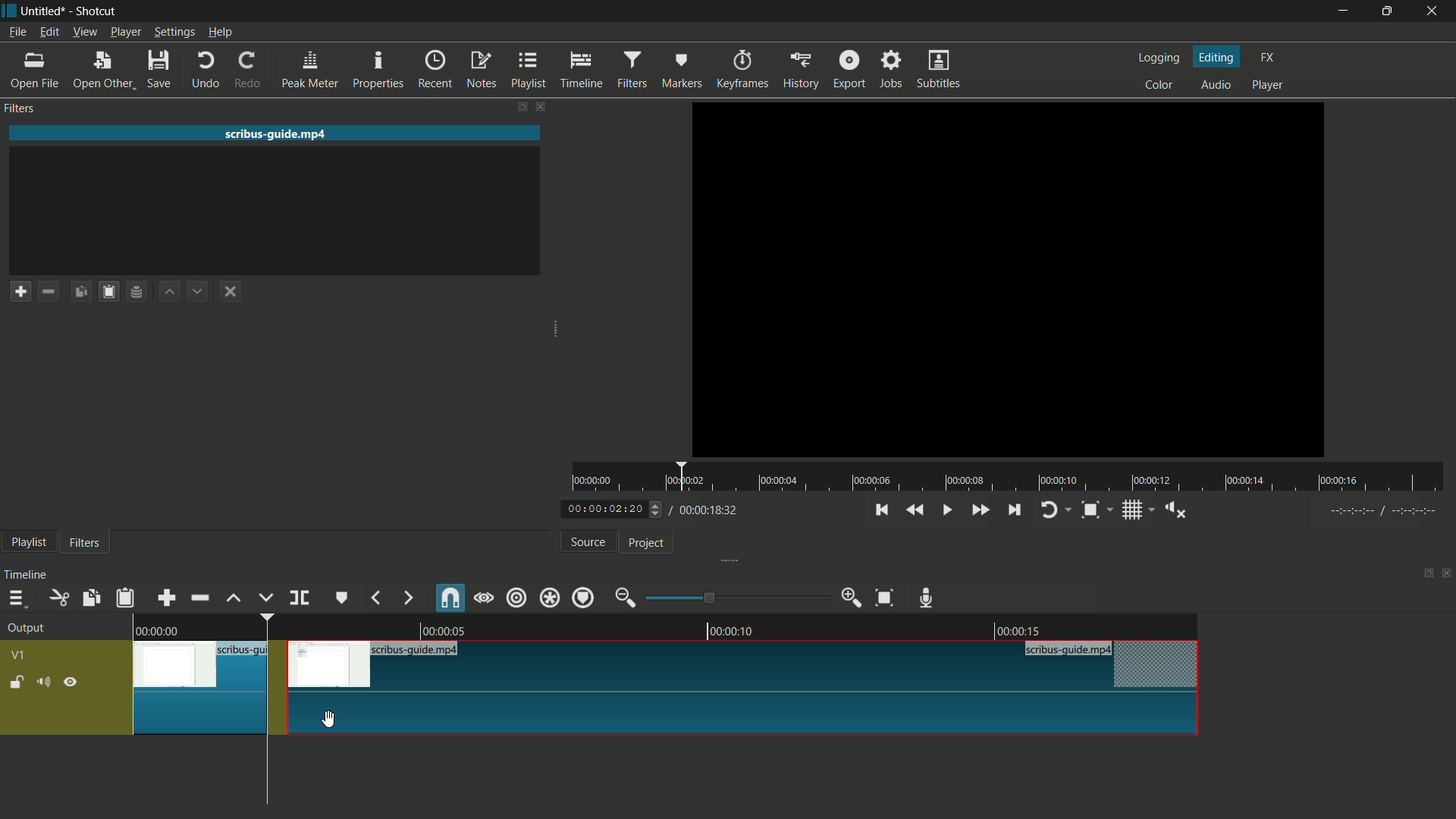 This screenshot has height=819, width=1456. What do you see at coordinates (263, 598) in the screenshot?
I see `overwrite` at bounding box center [263, 598].